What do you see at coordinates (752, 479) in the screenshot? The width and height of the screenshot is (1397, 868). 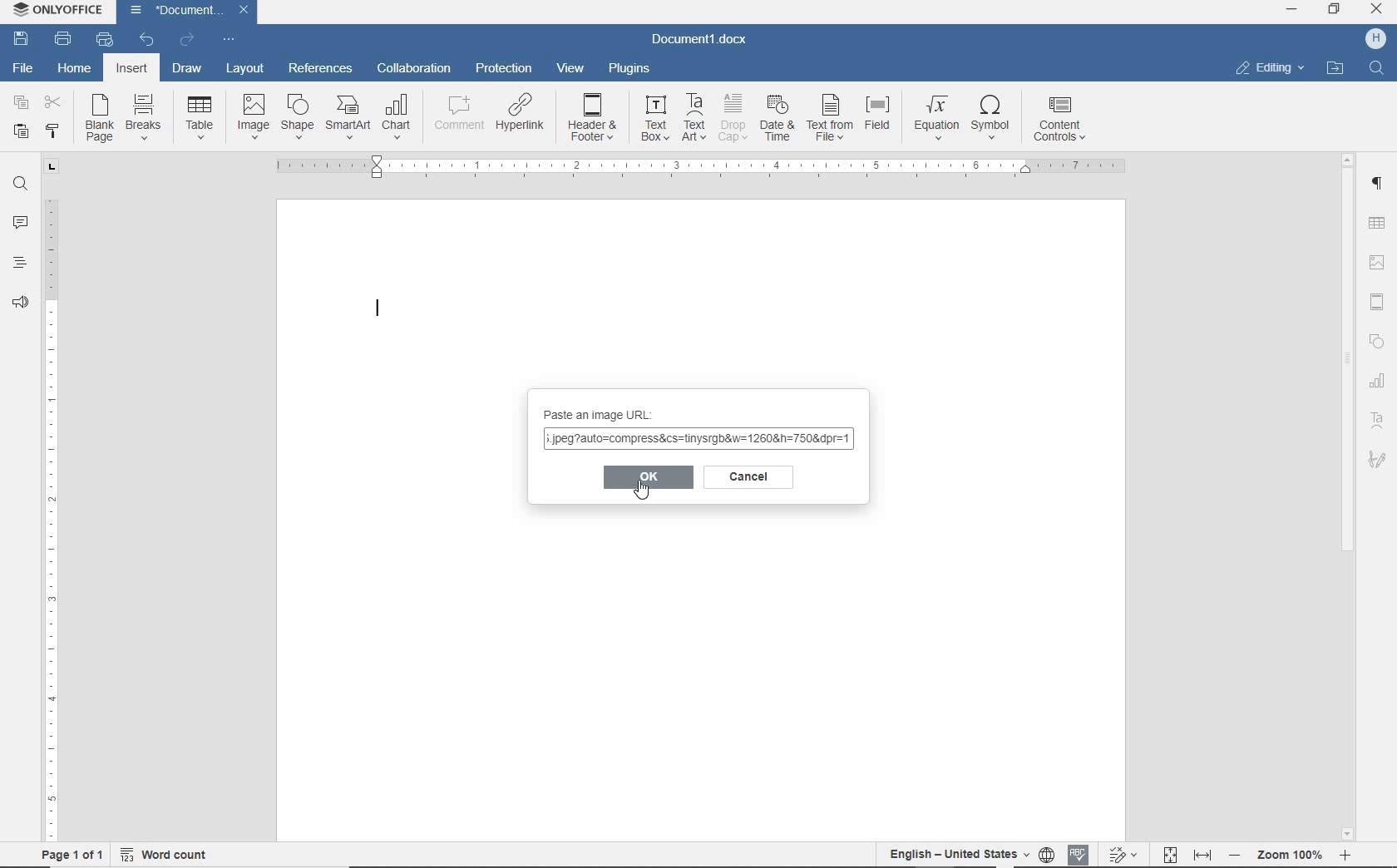 I see `cancel` at bounding box center [752, 479].